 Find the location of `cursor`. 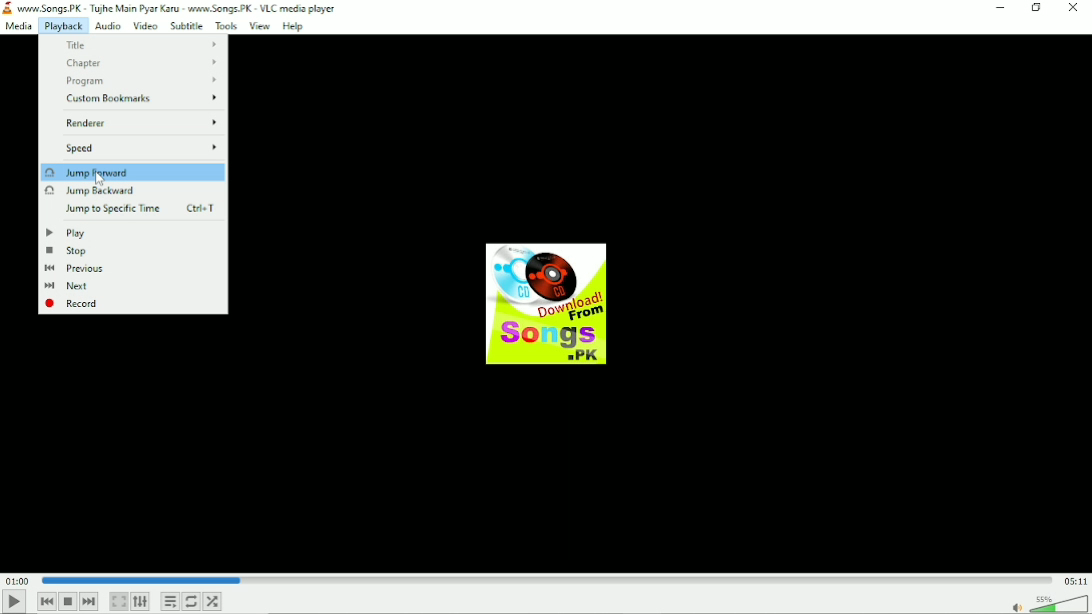

cursor is located at coordinates (98, 179).